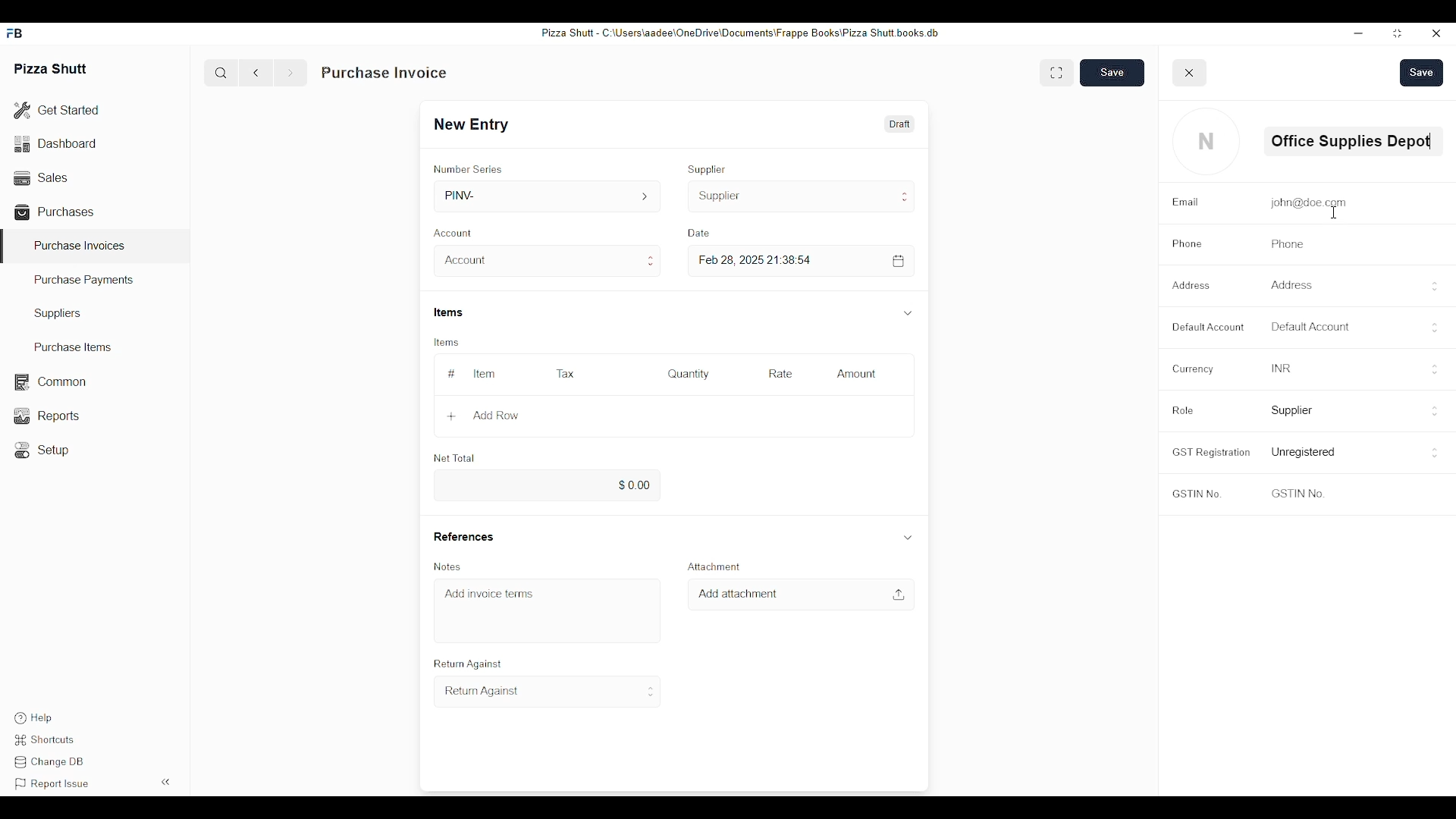 This screenshot has width=1456, height=819. Describe the element at coordinates (1305, 452) in the screenshot. I see `Unregistered` at that location.